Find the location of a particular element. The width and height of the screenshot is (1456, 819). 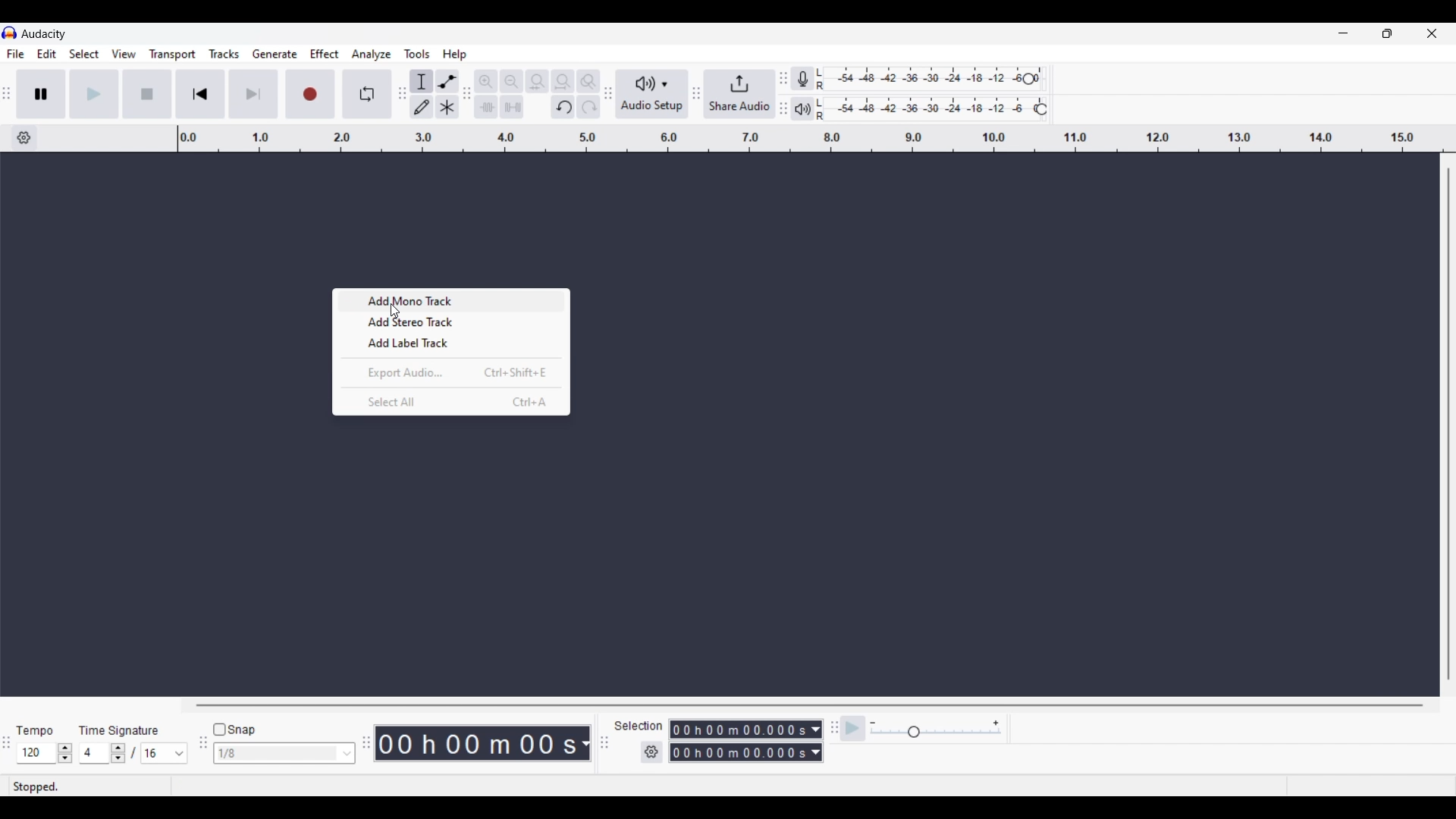

Tools menu is located at coordinates (417, 54).